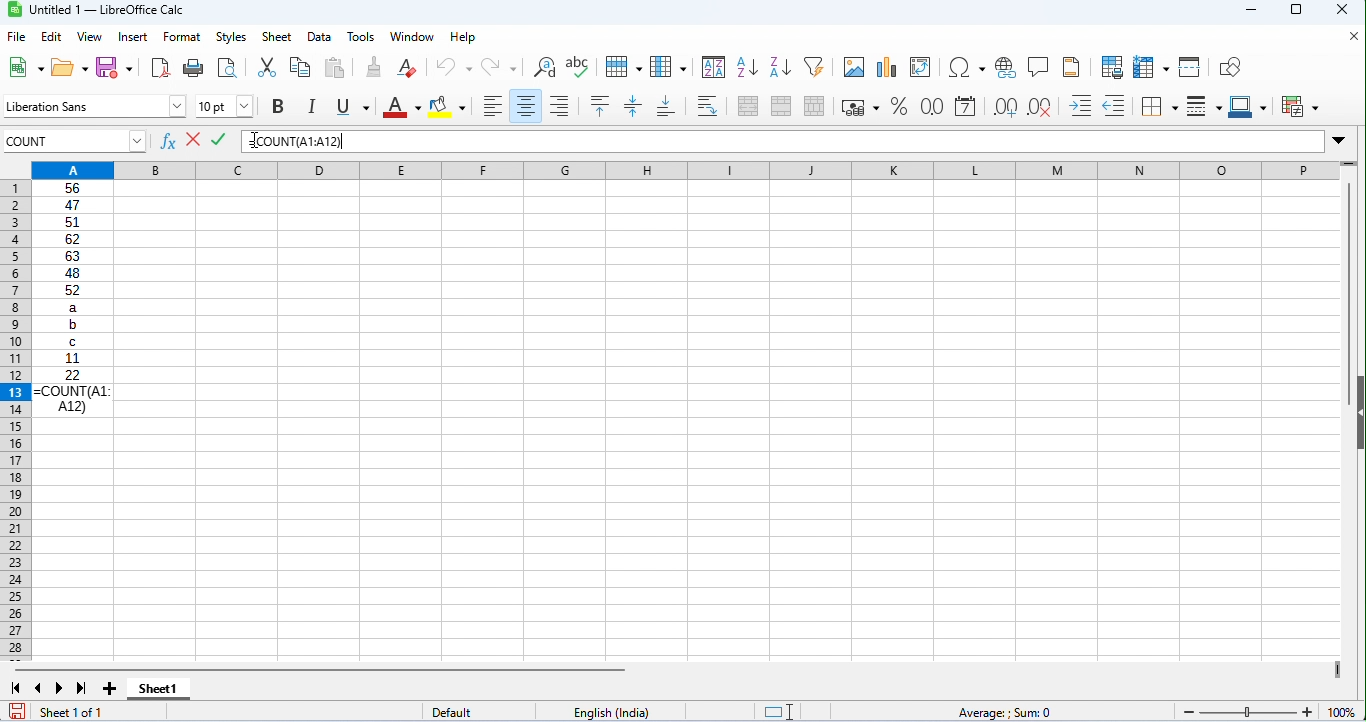  What do you see at coordinates (1112, 66) in the screenshot?
I see `define print area` at bounding box center [1112, 66].